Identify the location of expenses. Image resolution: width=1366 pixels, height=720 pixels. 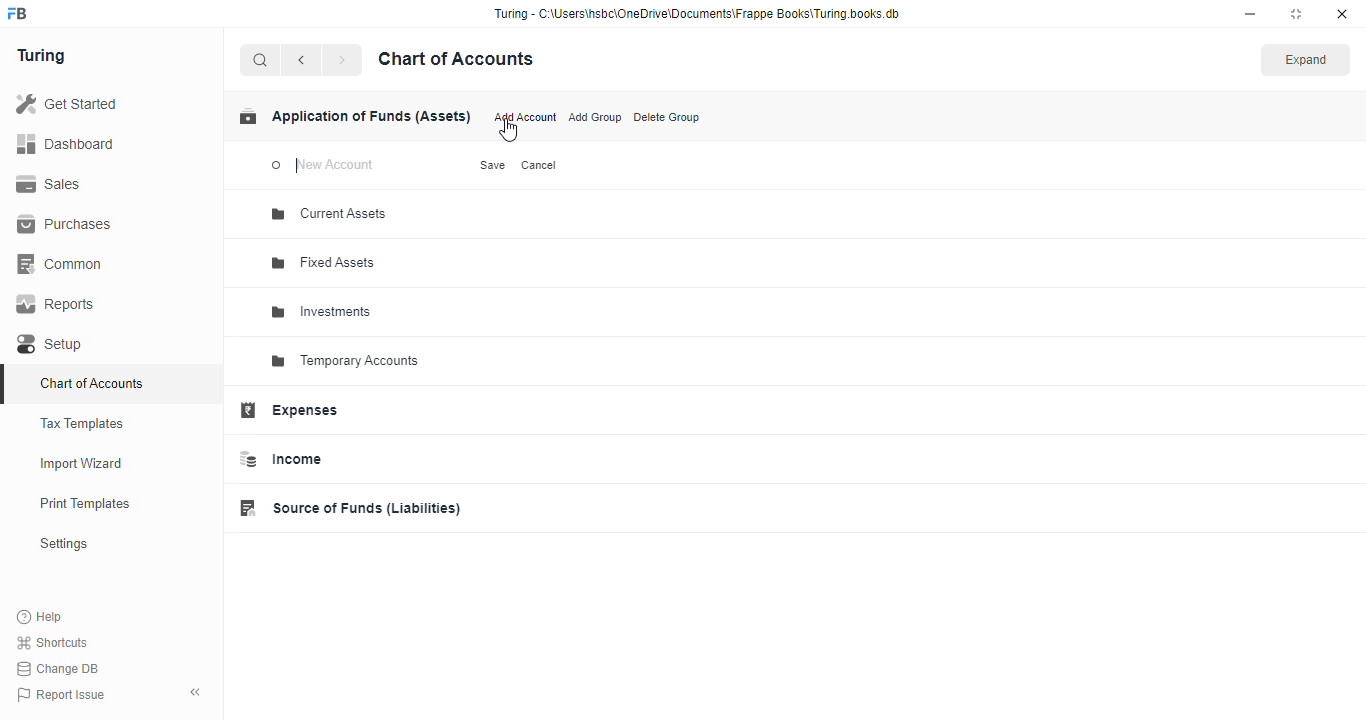
(288, 410).